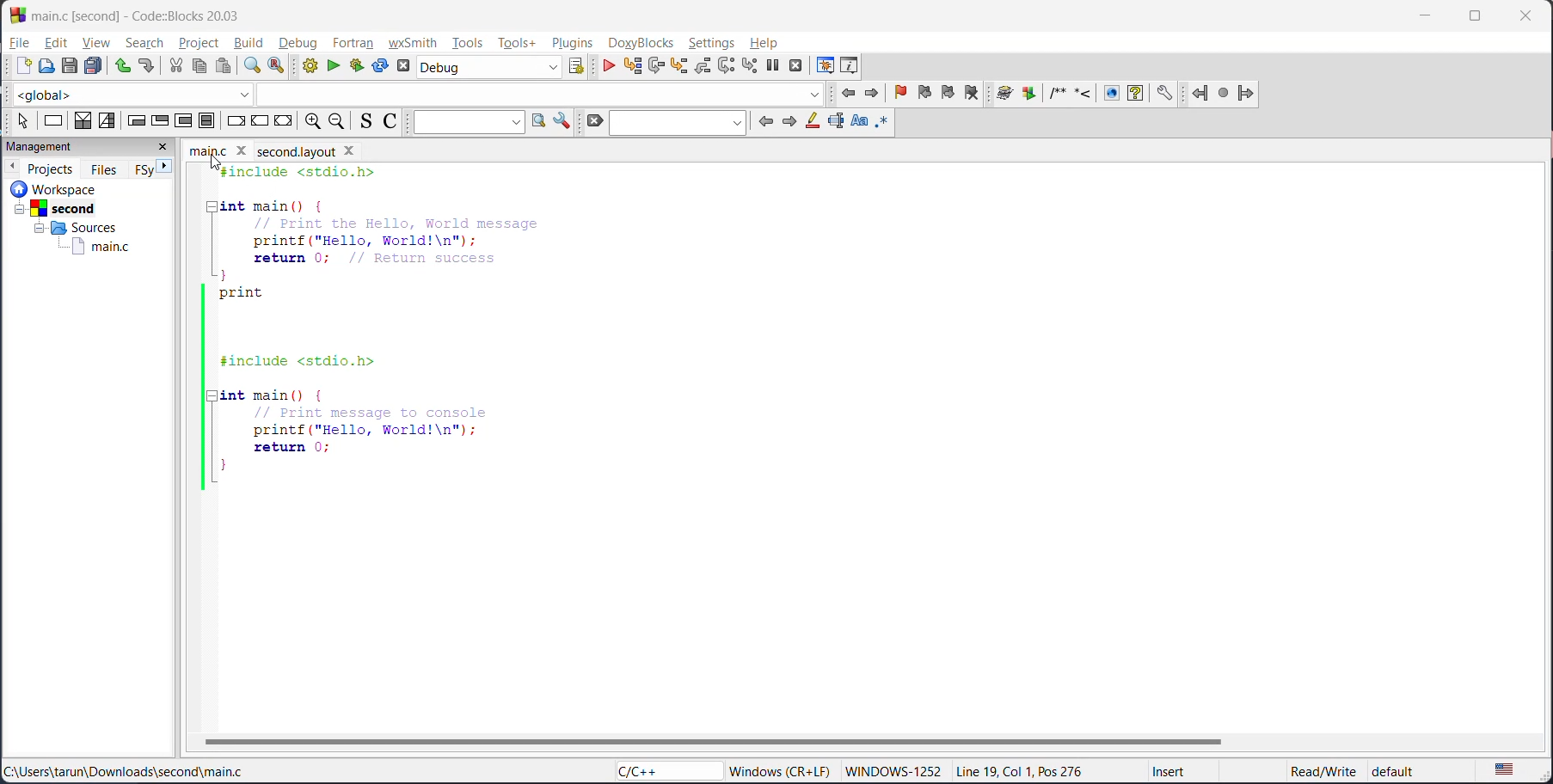  What do you see at coordinates (359, 64) in the screenshot?
I see `build and run` at bounding box center [359, 64].